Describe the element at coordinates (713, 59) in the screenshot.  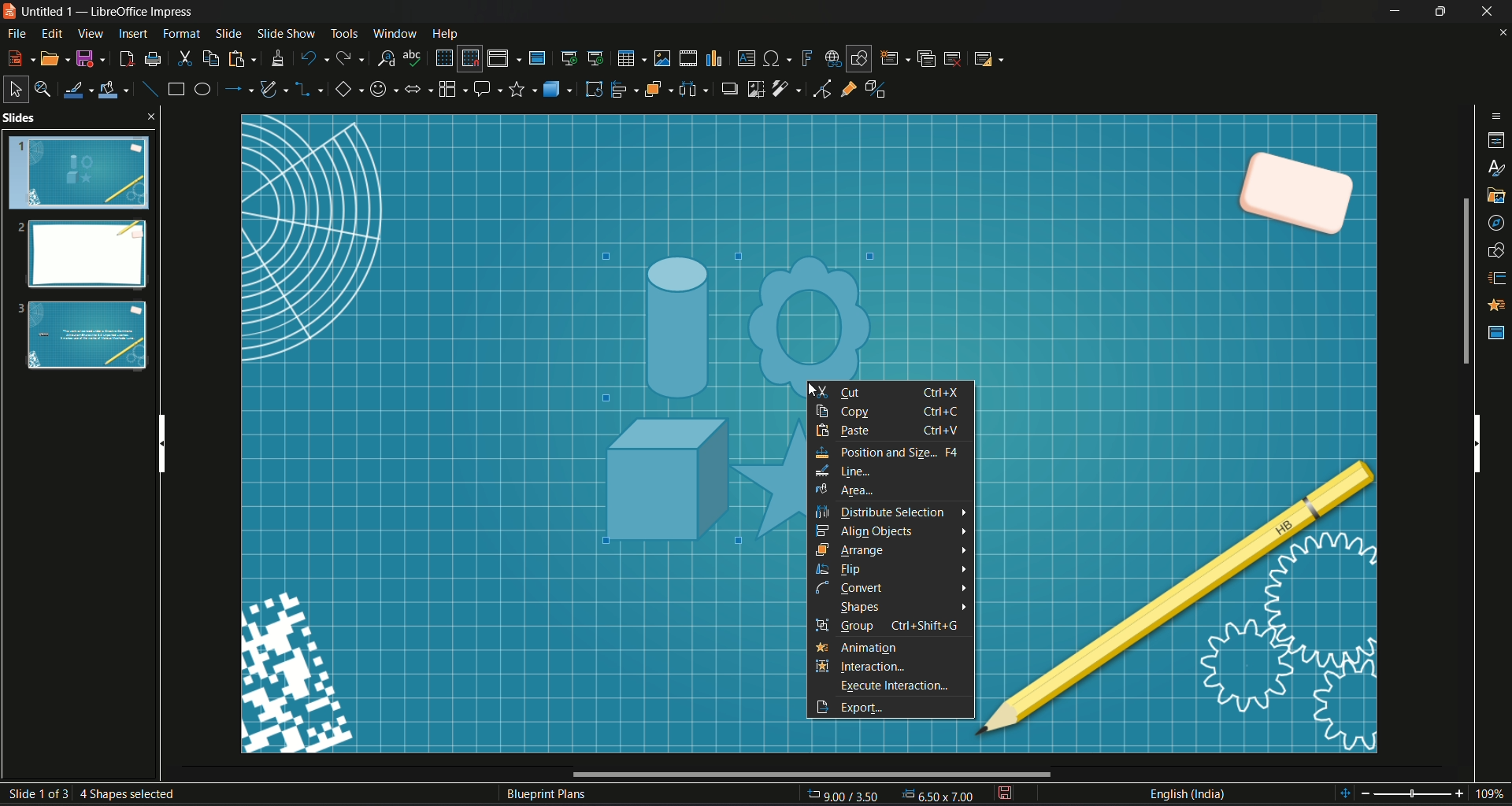
I see `insert chart` at that location.